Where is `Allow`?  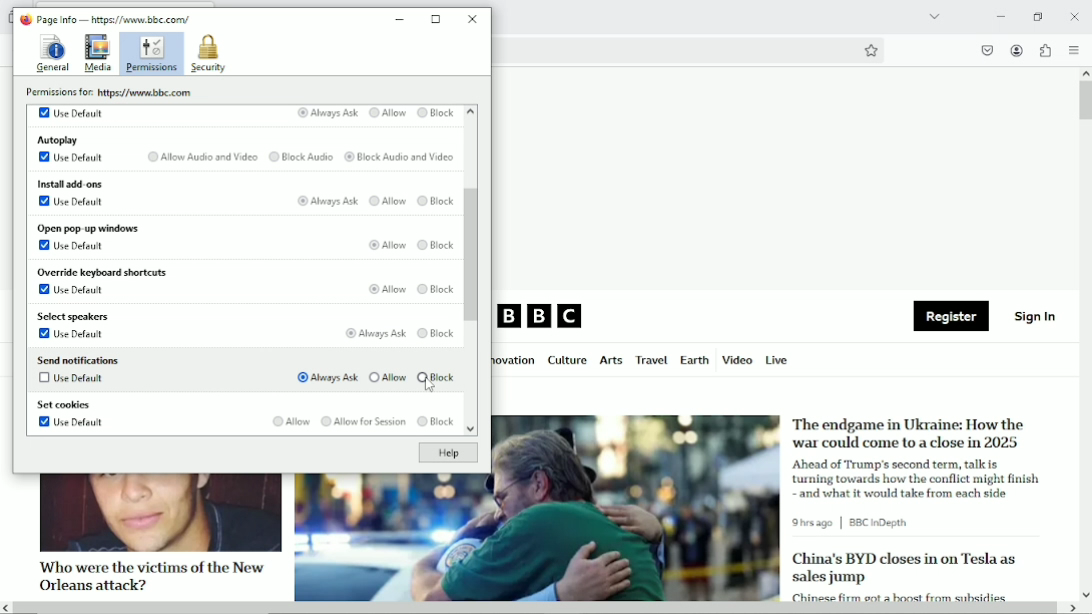
Allow is located at coordinates (387, 202).